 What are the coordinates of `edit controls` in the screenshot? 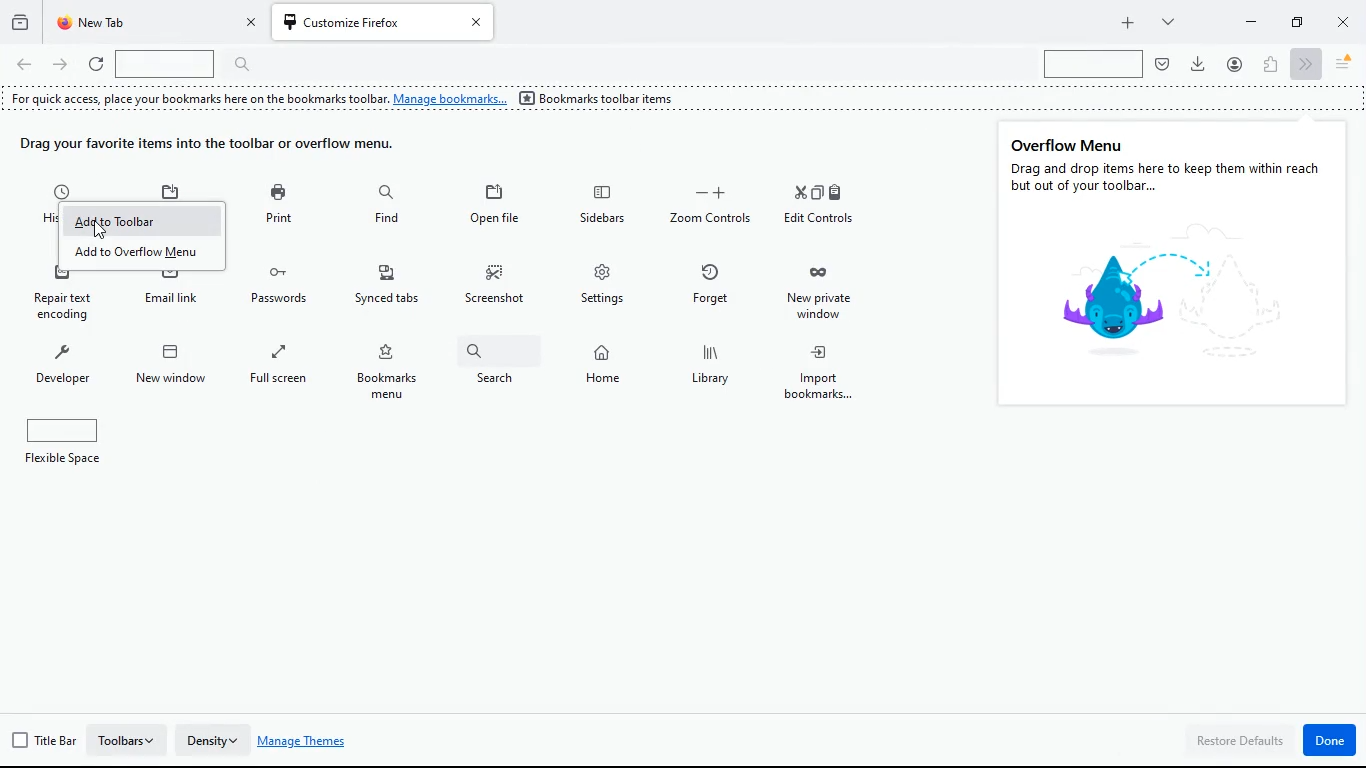 It's located at (822, 210).